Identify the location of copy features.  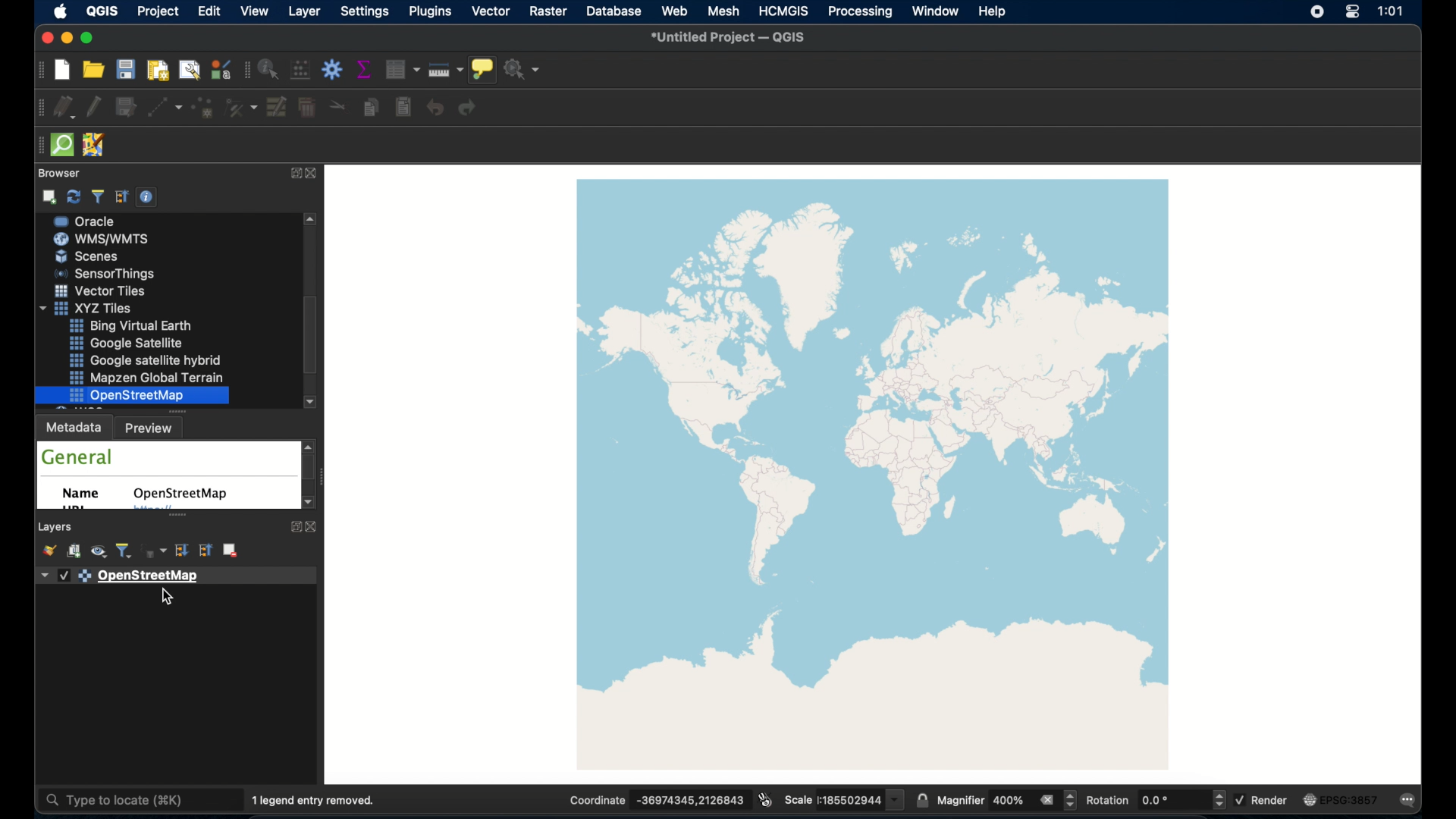
(369, 108).